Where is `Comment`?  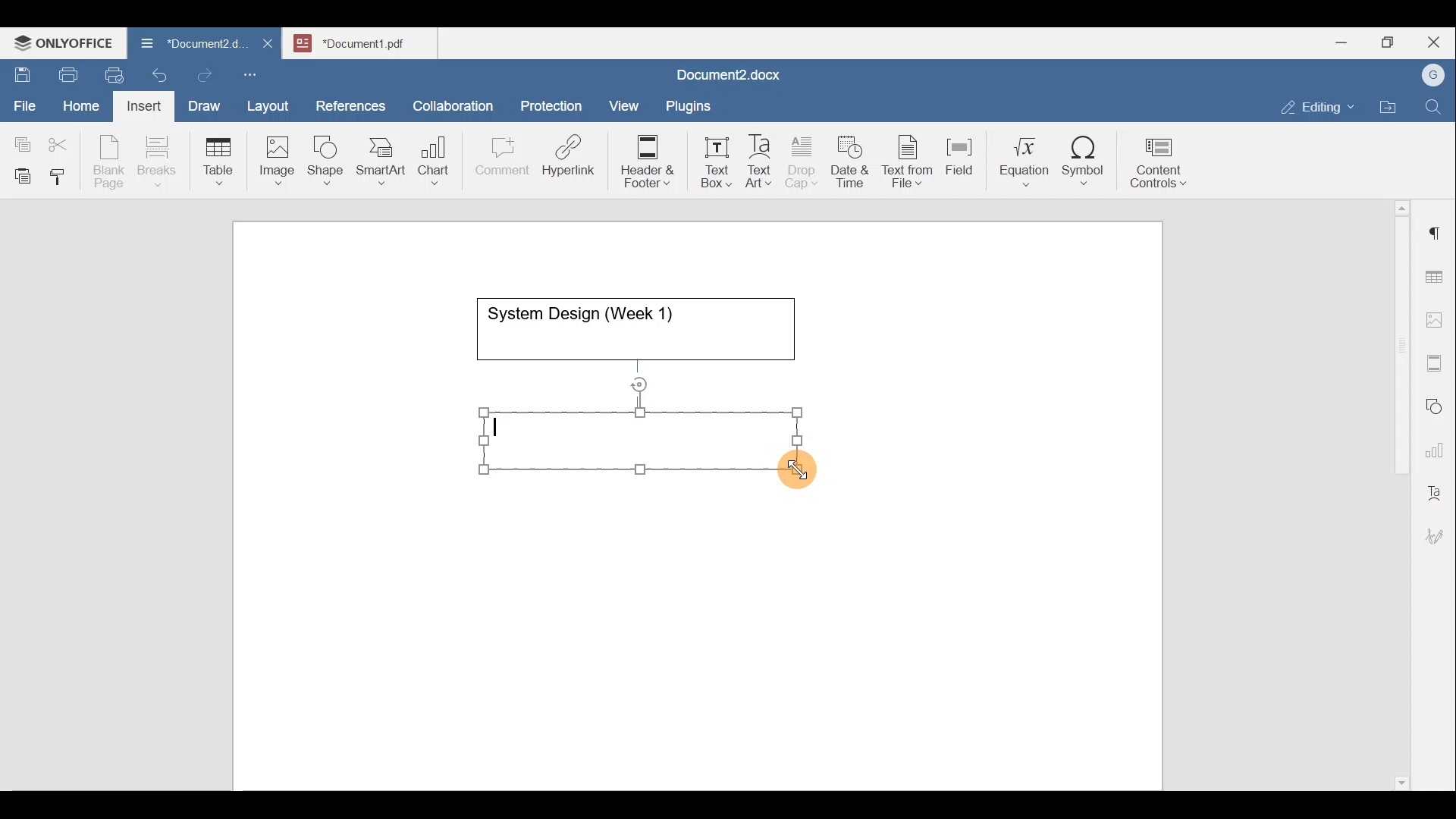 Comment is located at coordinates (497, 160).